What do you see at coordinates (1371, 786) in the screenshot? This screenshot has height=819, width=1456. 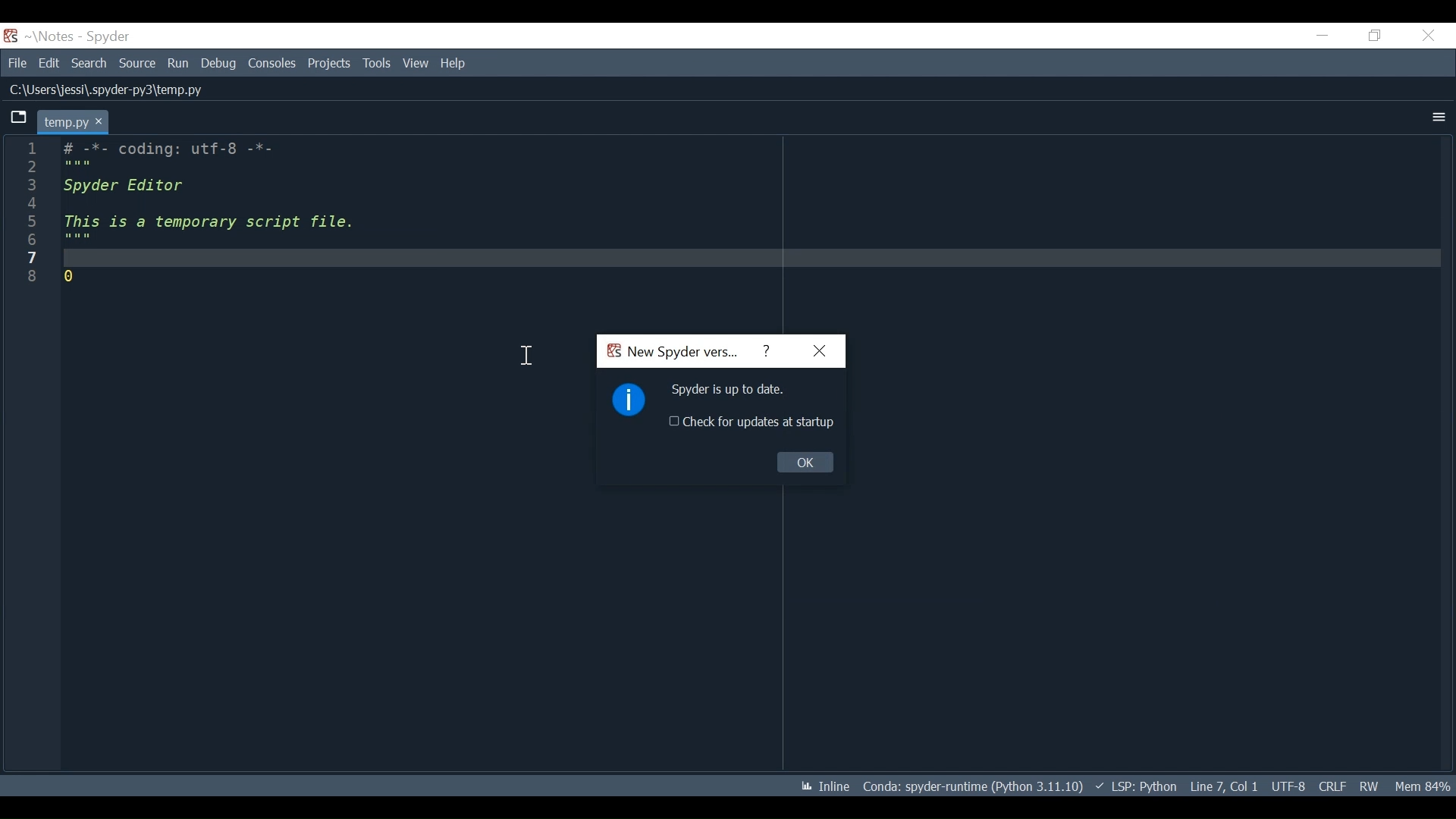 I see `RW` at bounding box center [1371, 786].